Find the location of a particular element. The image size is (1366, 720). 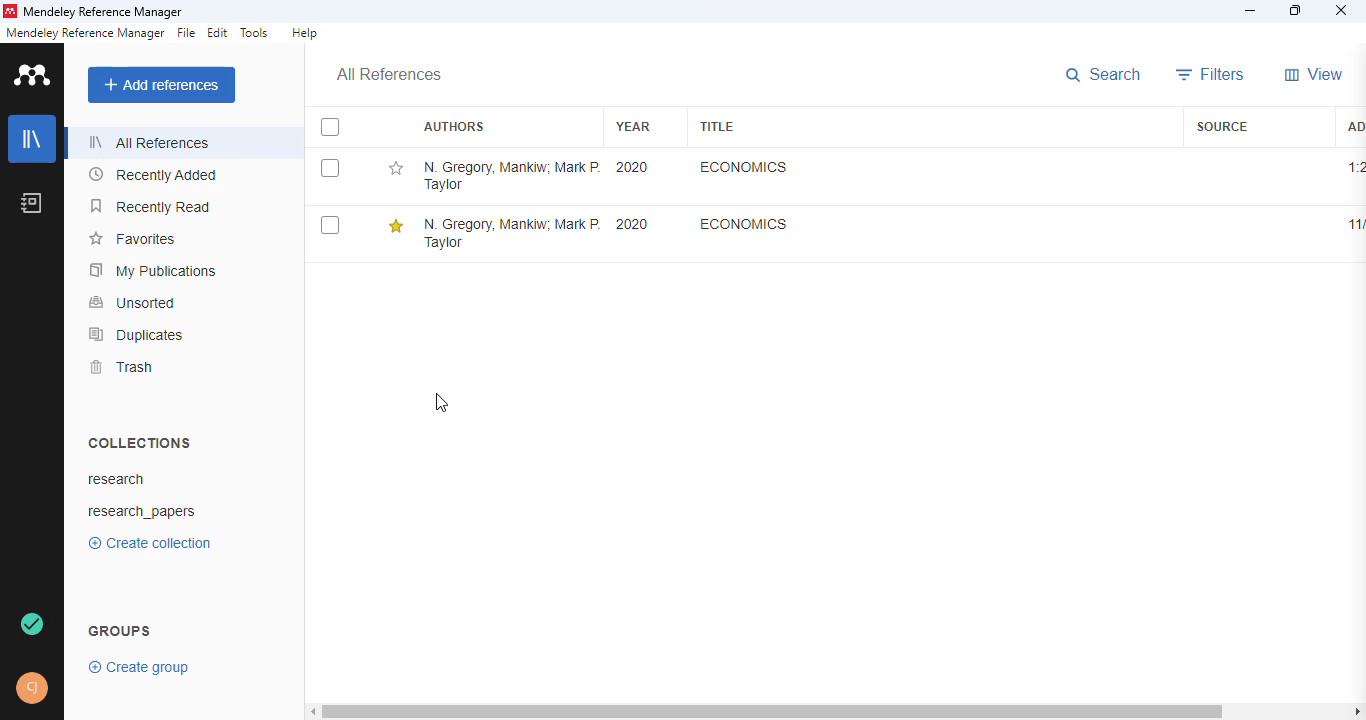

authors is located at coordinates (453, 126).